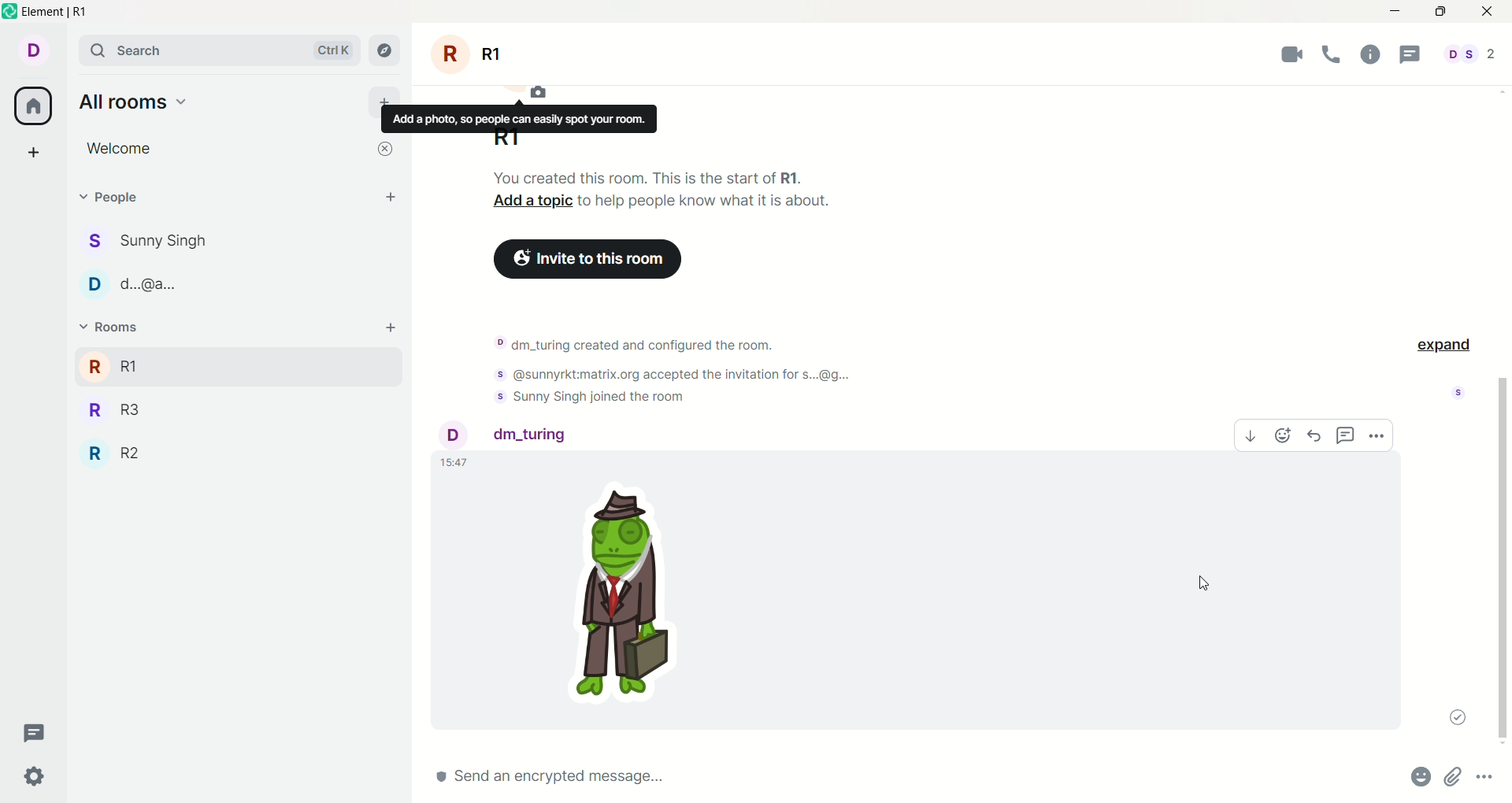  I want to click on Click to invite more people to this room, so click(587, 259).